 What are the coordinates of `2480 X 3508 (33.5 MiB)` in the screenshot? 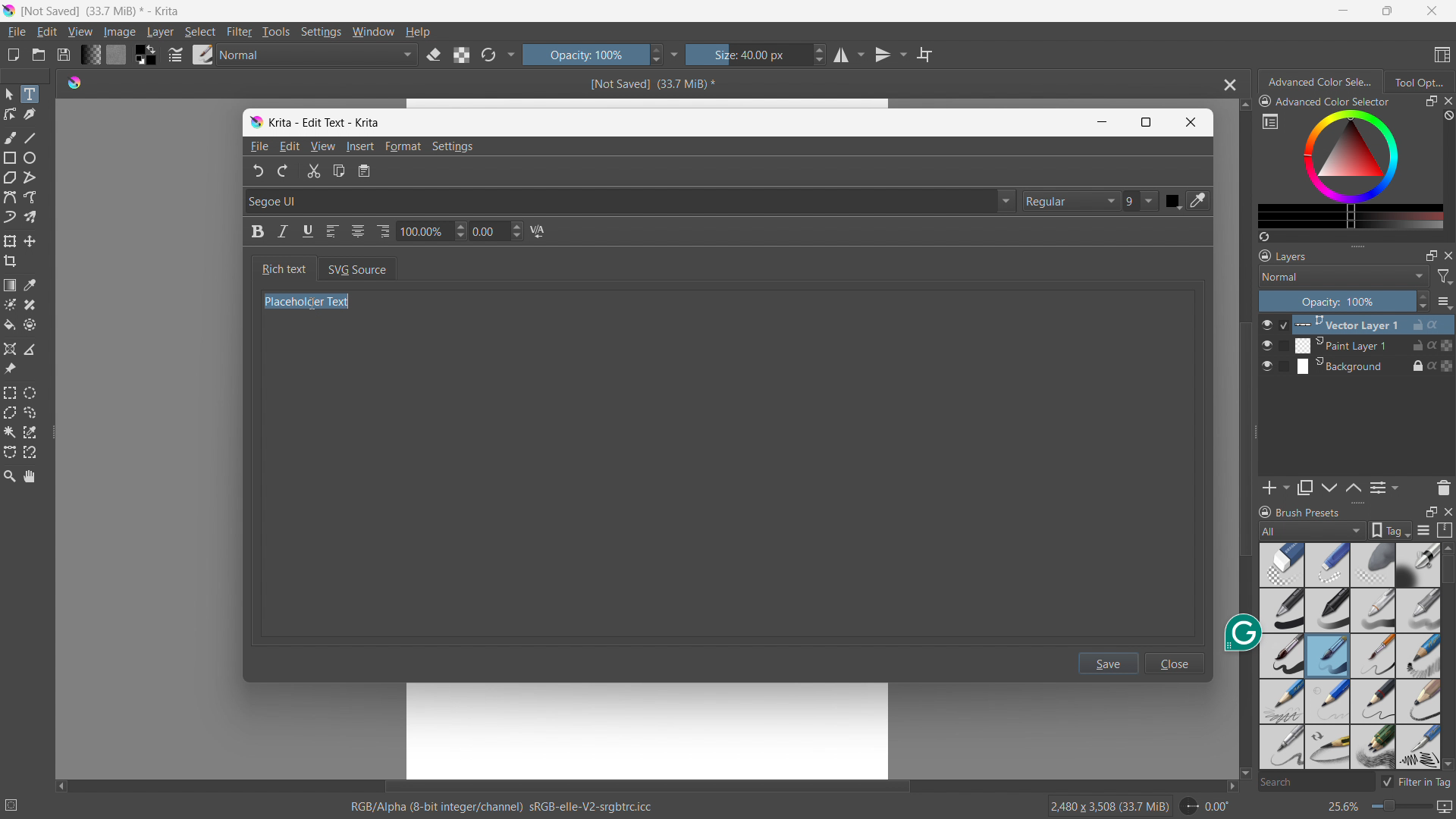 It's located at (1109, 805).